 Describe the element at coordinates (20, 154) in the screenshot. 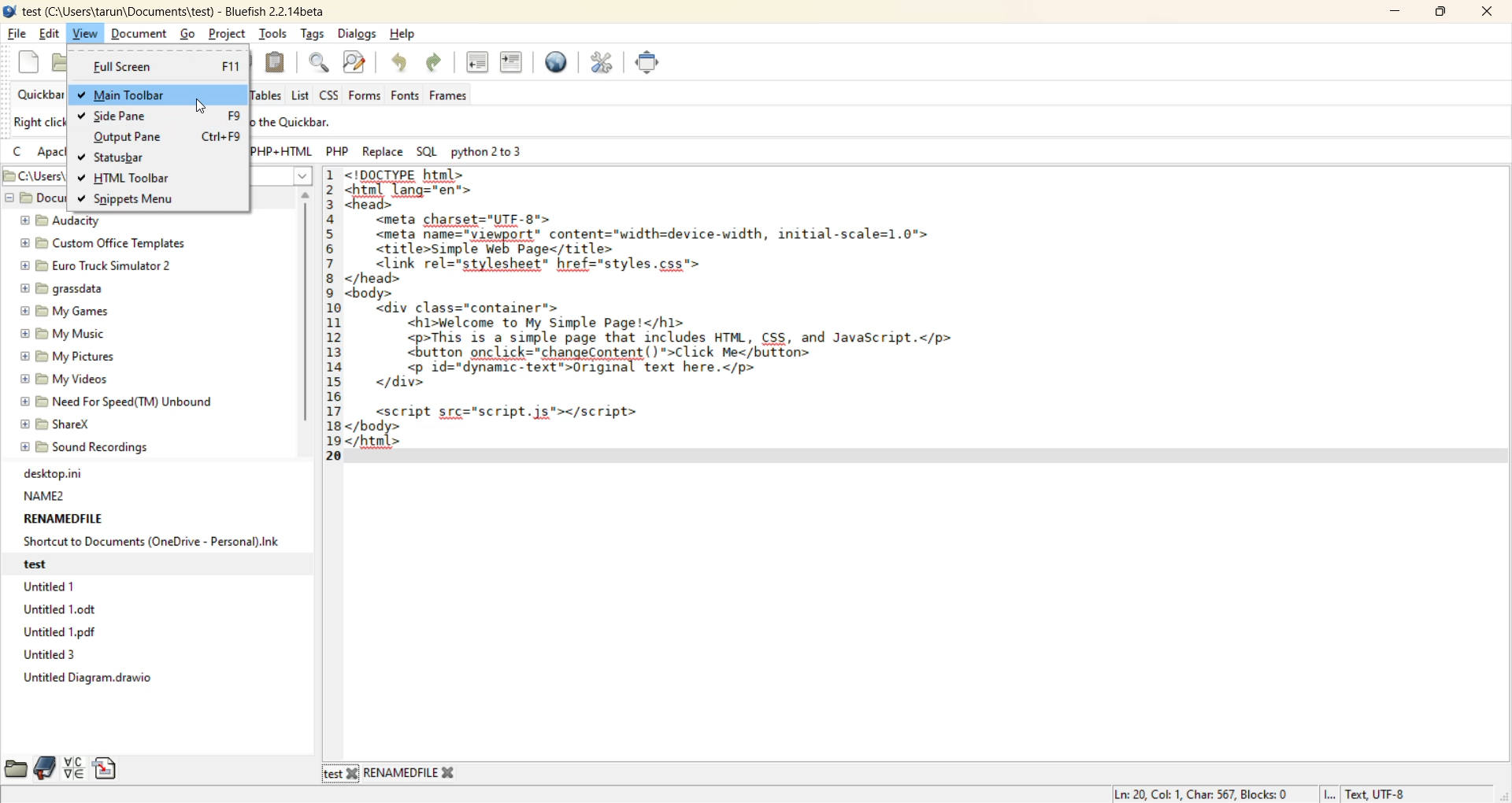

I see `c` at that location.